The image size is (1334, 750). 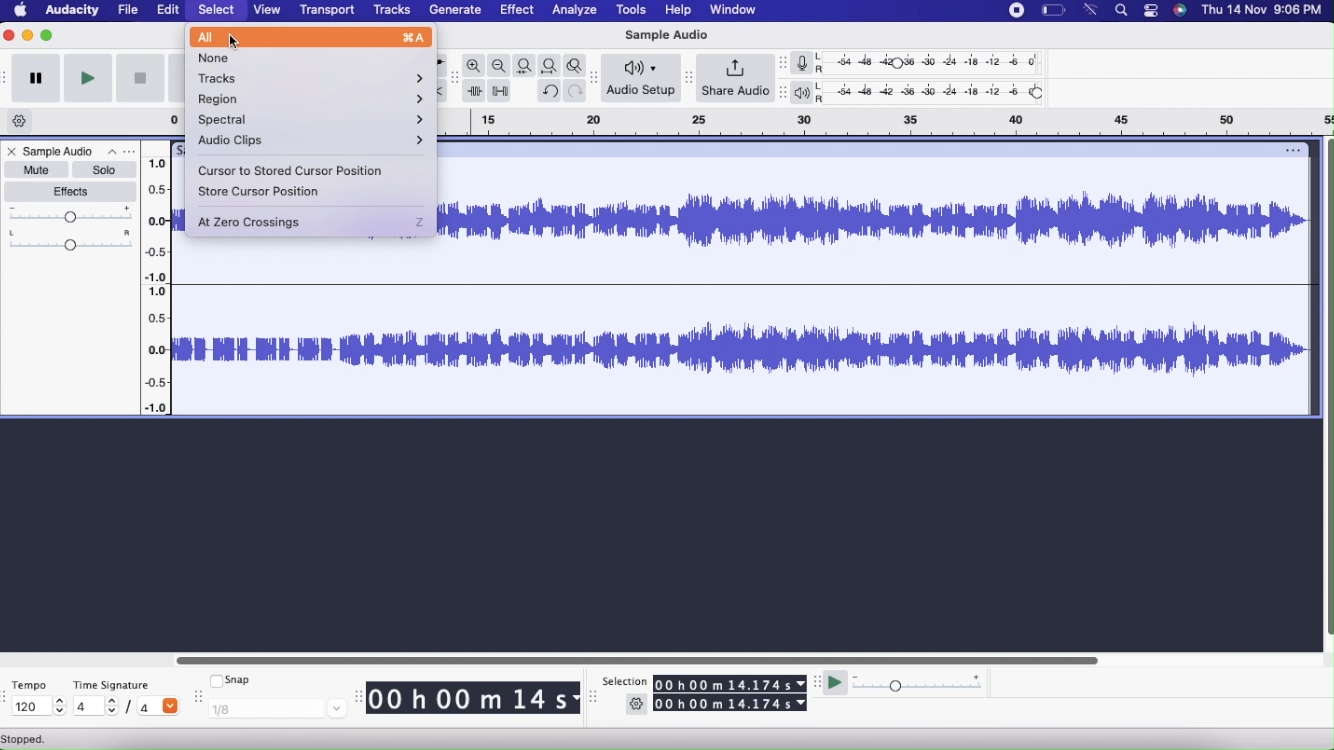 What do you see at coordinates (326, 11) in the screenshot?
I see `Transport` at bounding box center [326, 11].